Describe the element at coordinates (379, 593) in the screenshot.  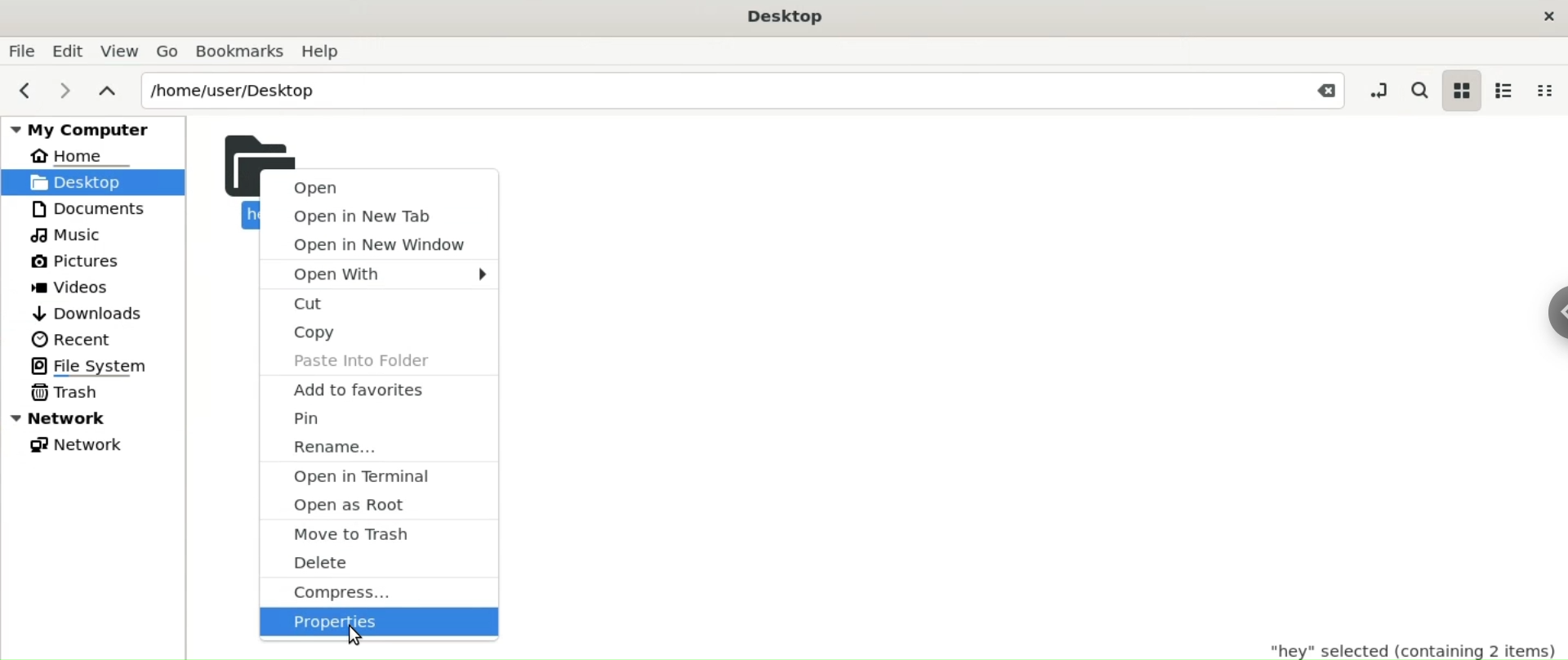
I see `compress` at that location.